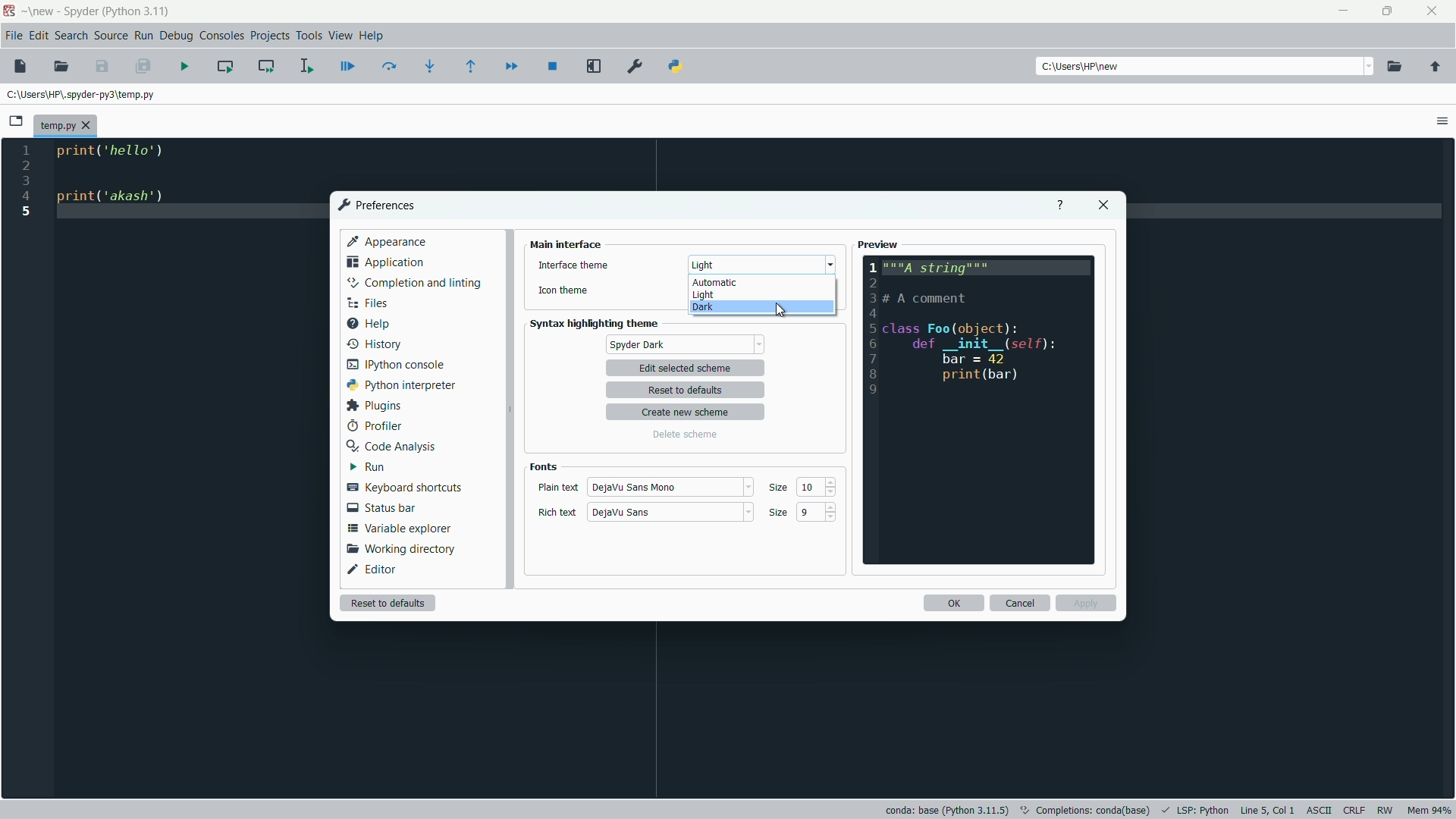 This screenshot has height=819, width=1456. What do you see at coordinates (1344, 13) in the screenshot?
I see `minimize` at bounding box center [1344, 13].